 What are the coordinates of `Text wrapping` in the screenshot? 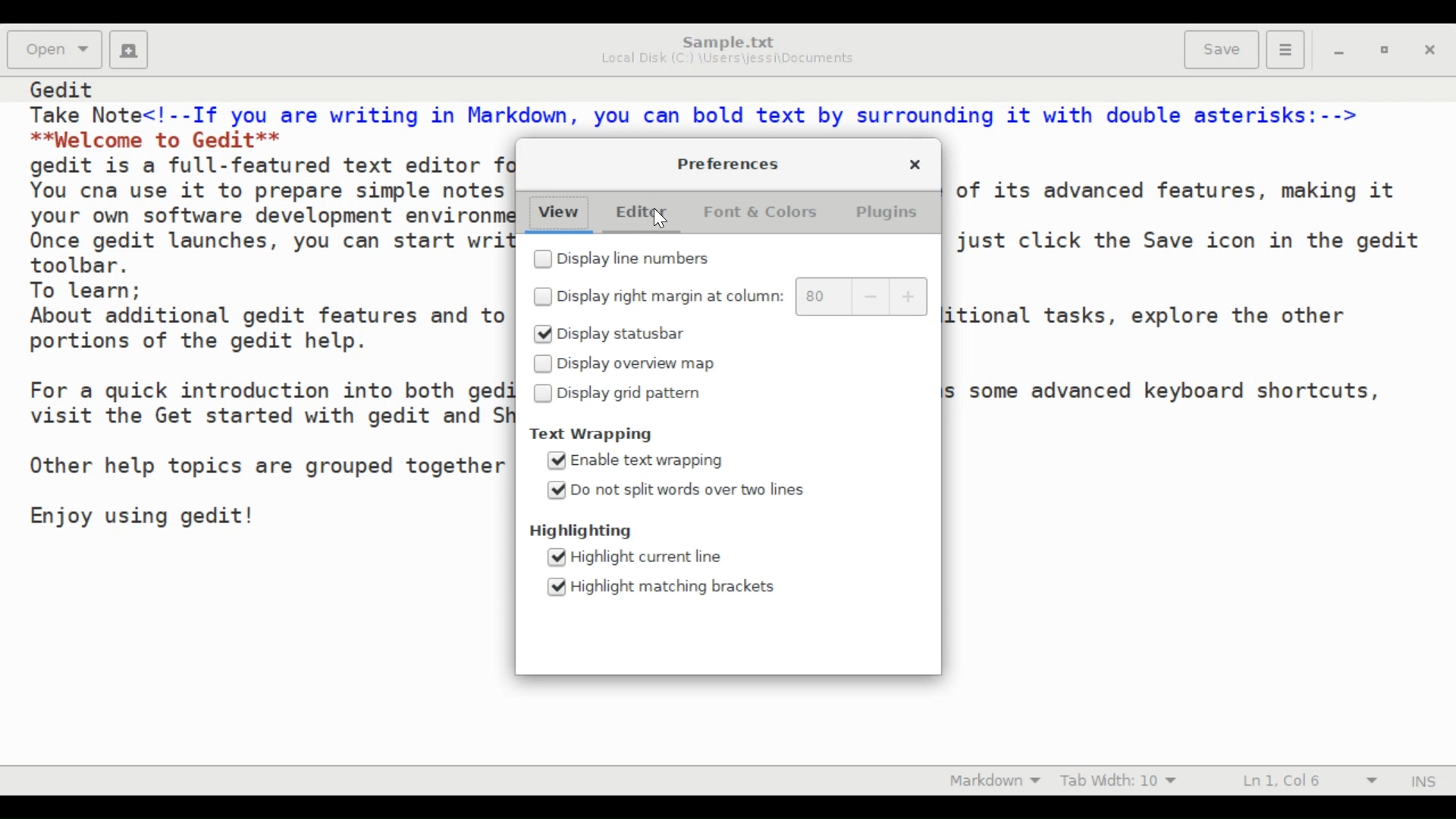 It's located at (595, 434).